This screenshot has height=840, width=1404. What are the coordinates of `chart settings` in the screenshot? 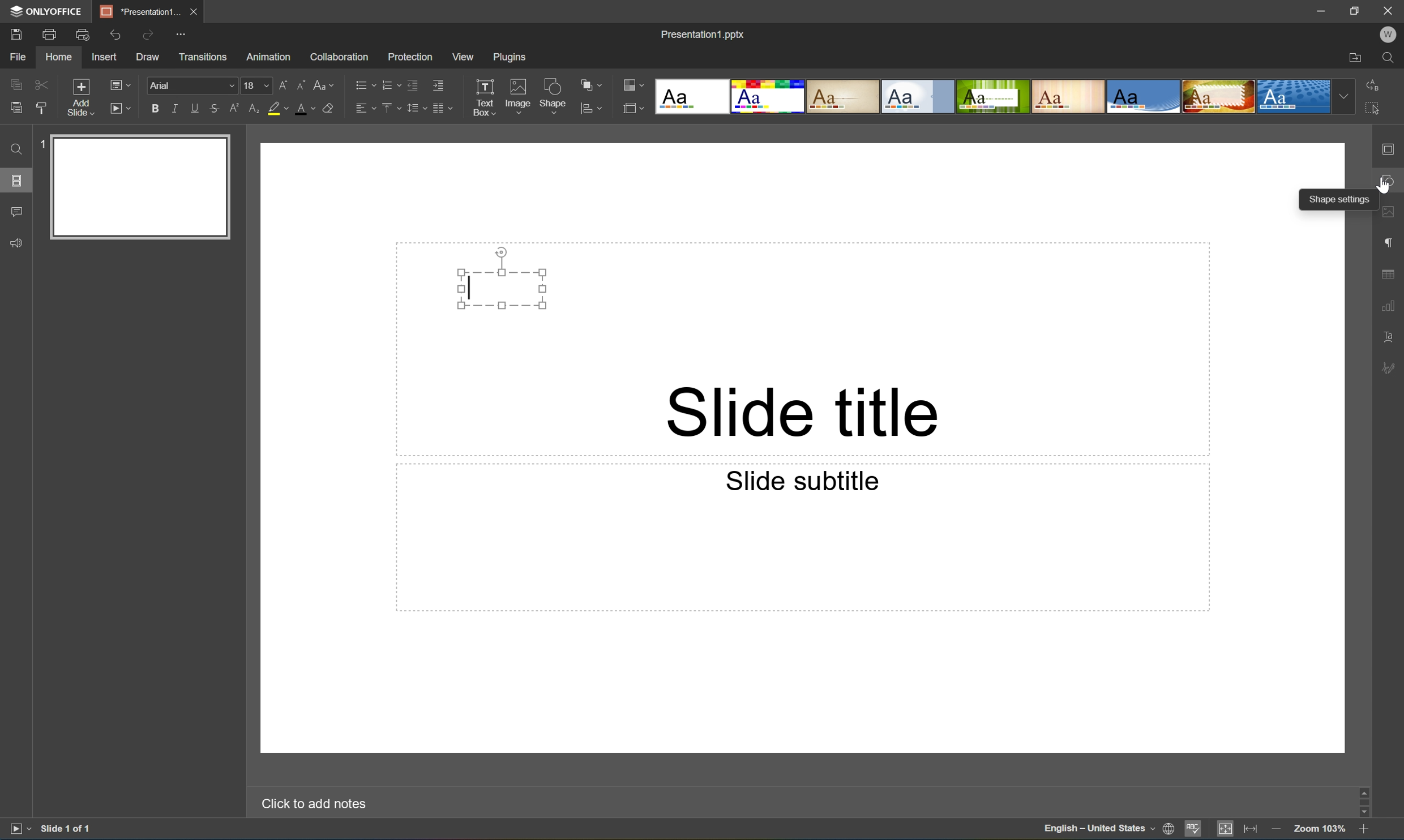 It's located at (1388, 306).